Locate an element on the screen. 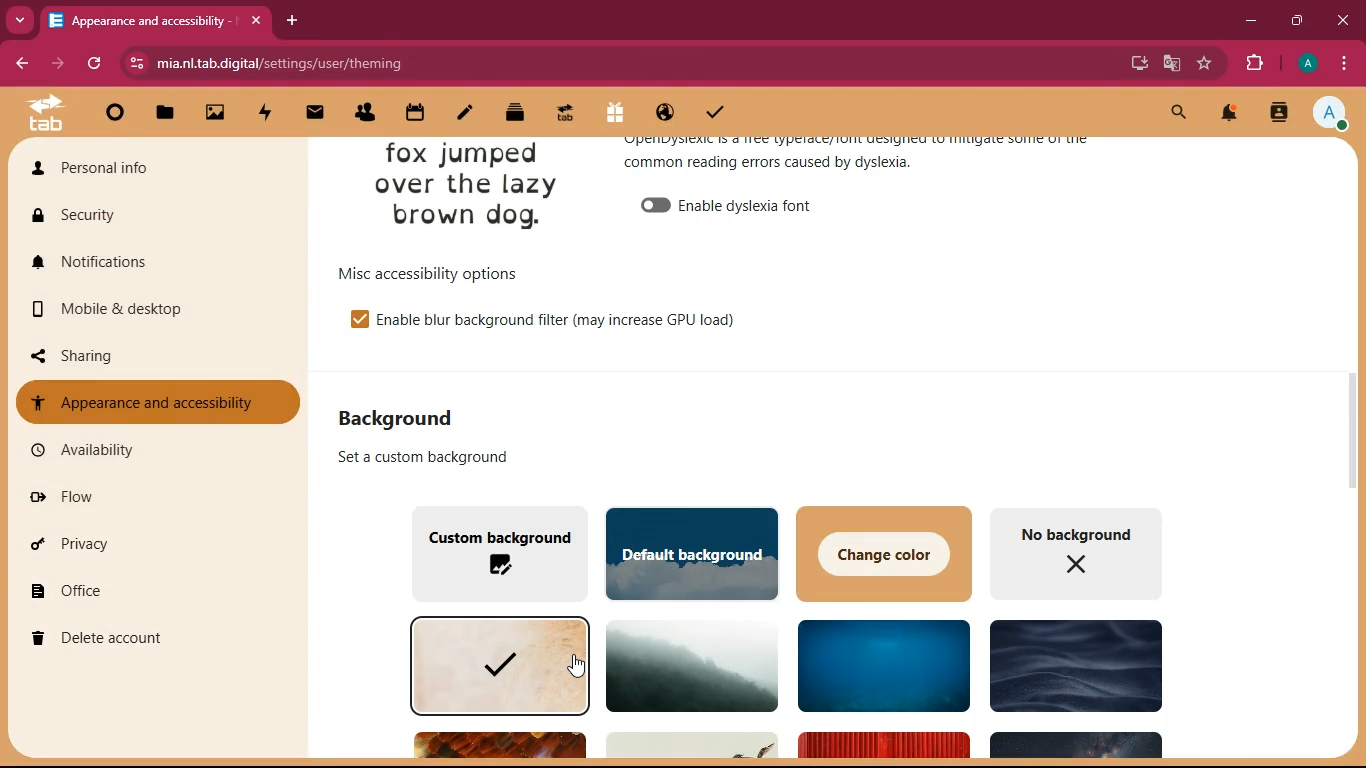 This screenshot has height=768, width=1366. delete account is located at coordinates (147, 638).